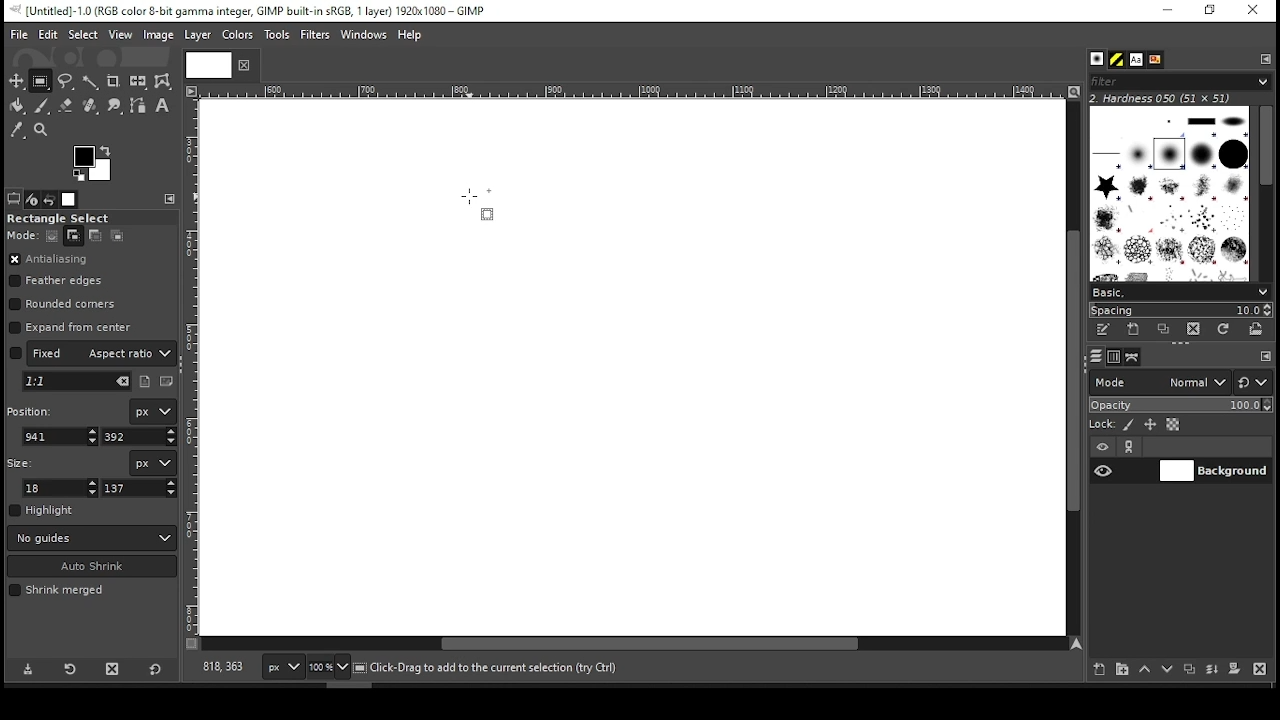  Describe the element at coordinates (48, 34) in the screenshot. I see `edit` at that location.